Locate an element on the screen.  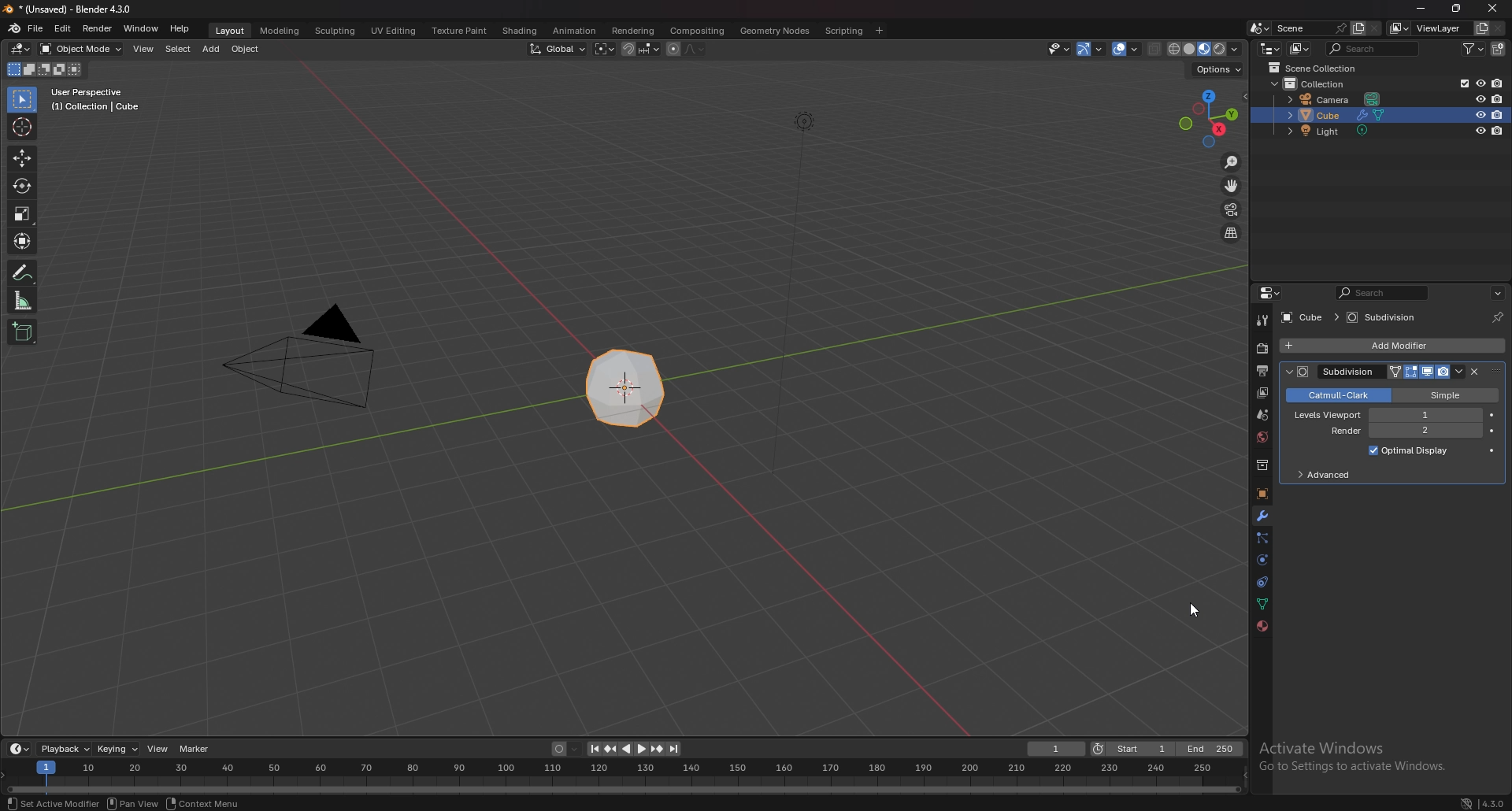
layout is located at coordinates (231, 30).